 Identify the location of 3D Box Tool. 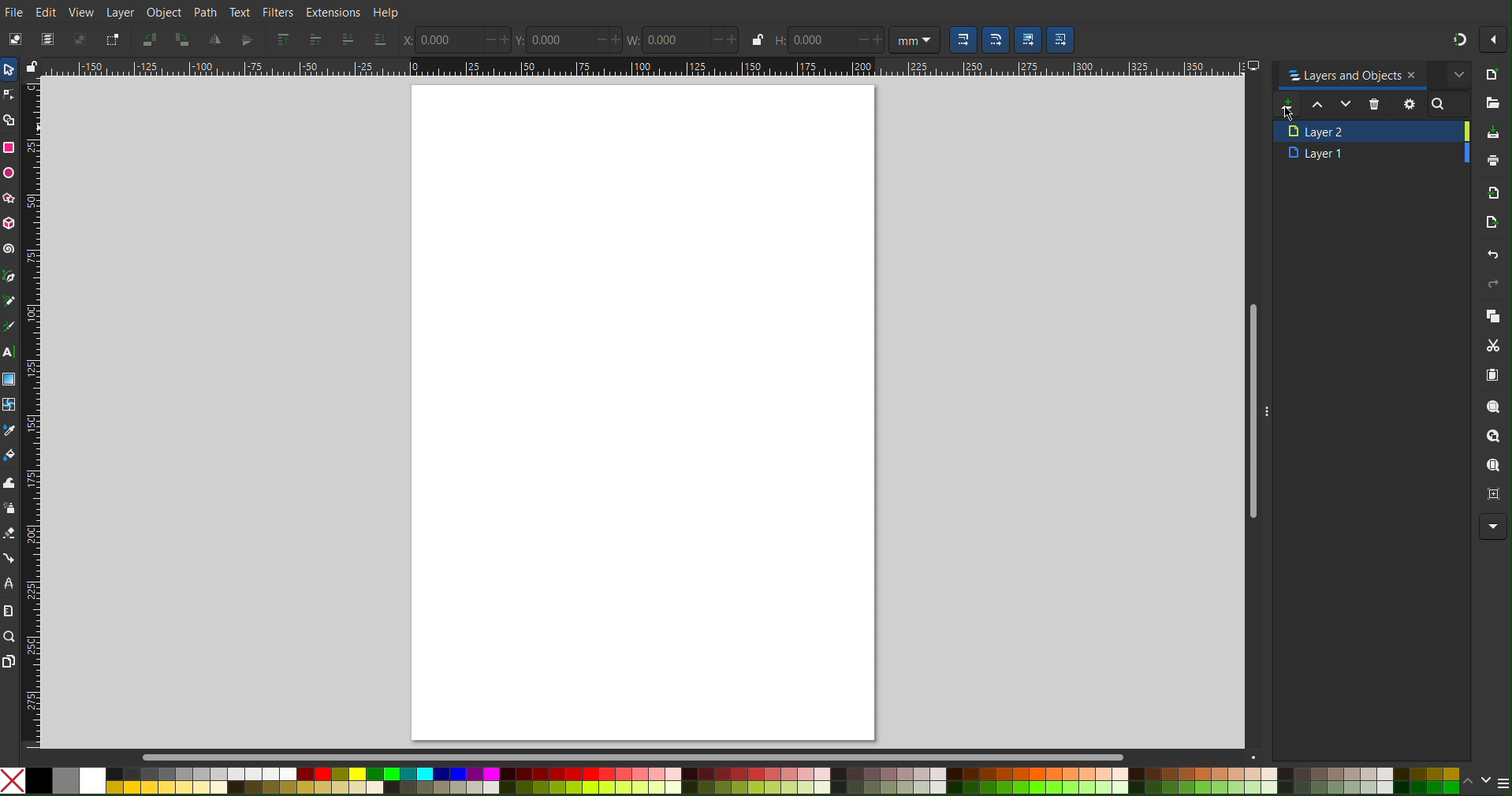
(14, 224).